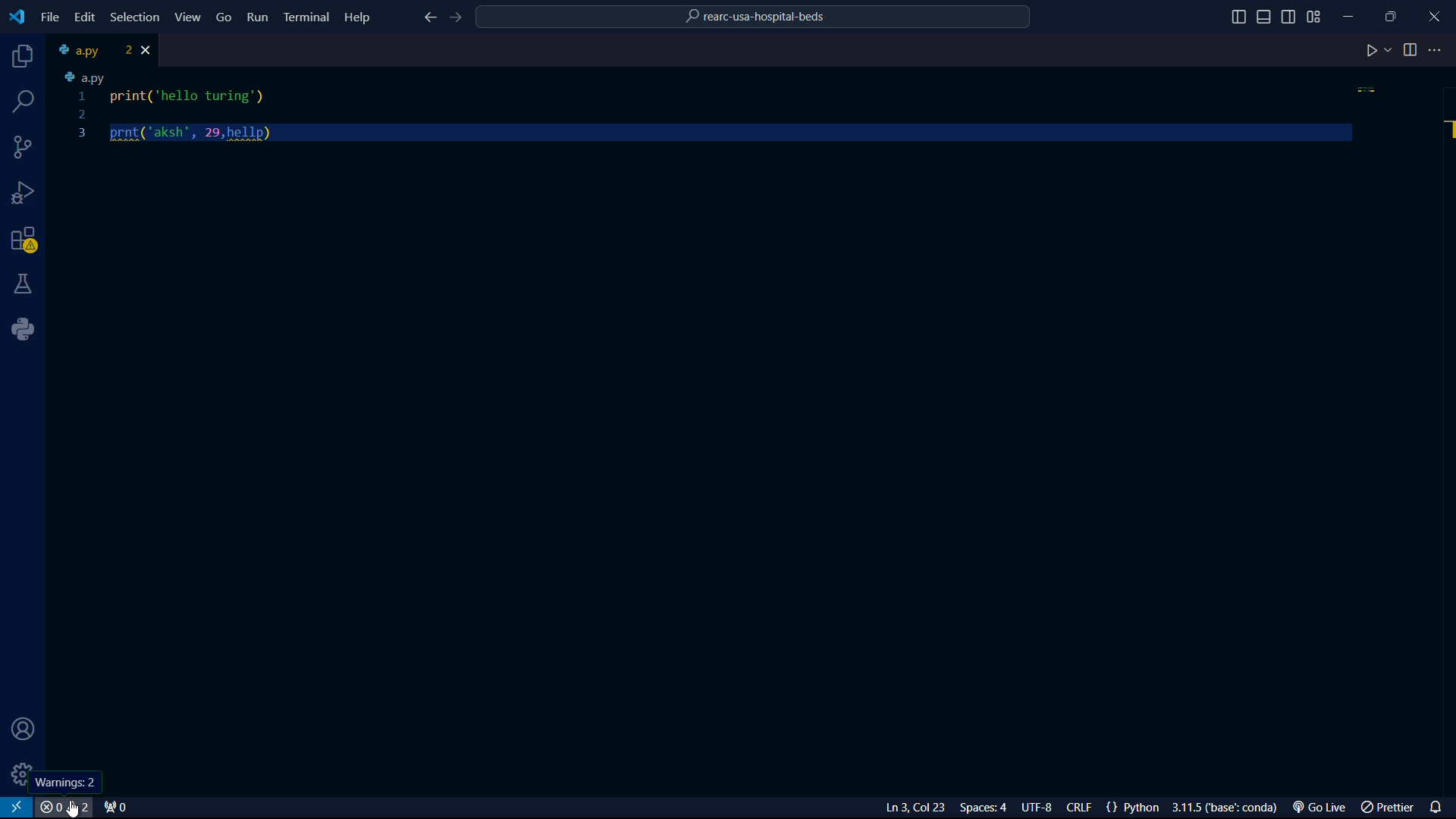 This screenshot has height=819, width=1456. Describe the element at coordinates (50, 17) in the screenshot. I see `file` at that location.